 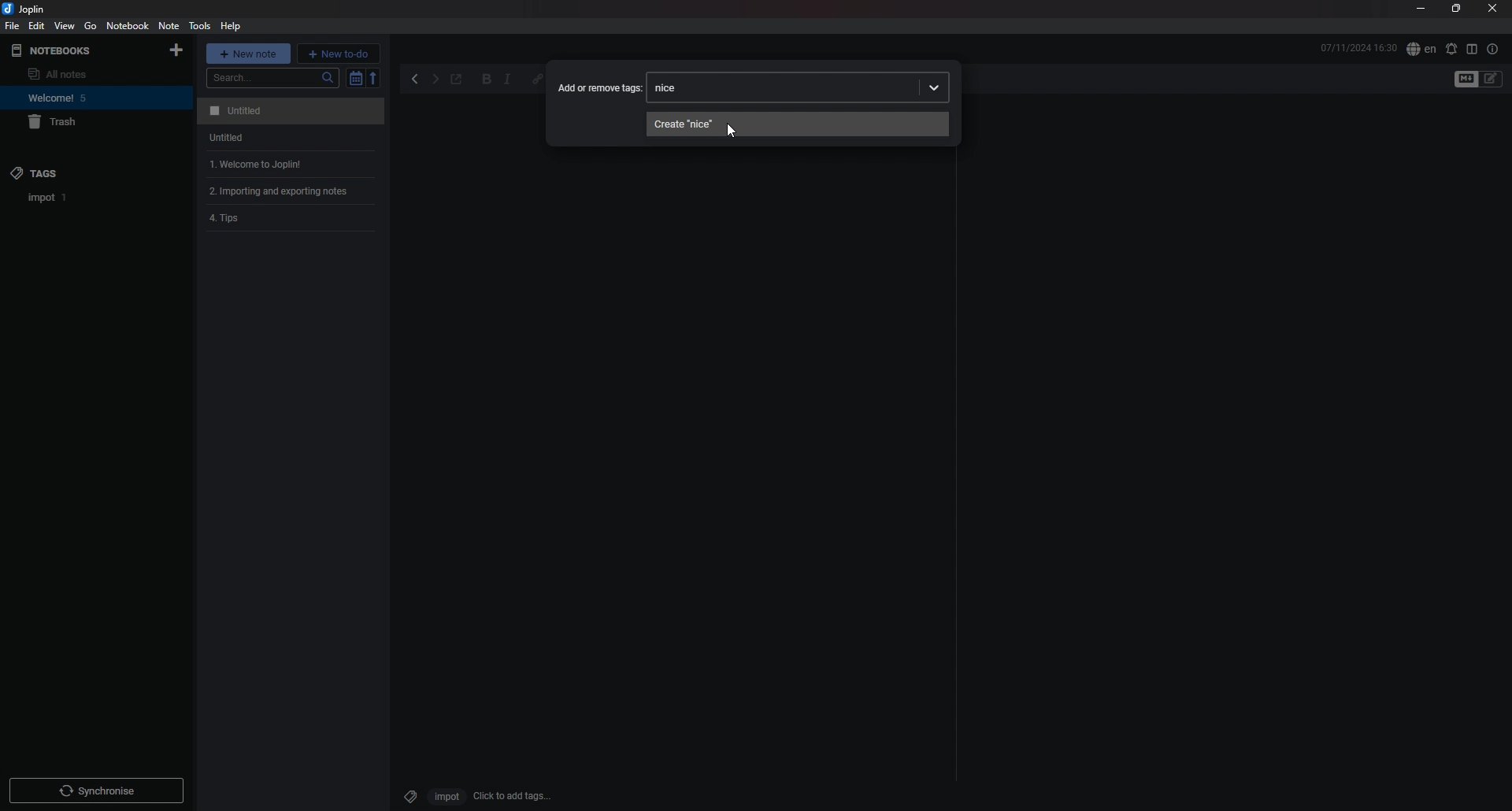 I want to click on 2. Importing, so click(x=284, y=191).